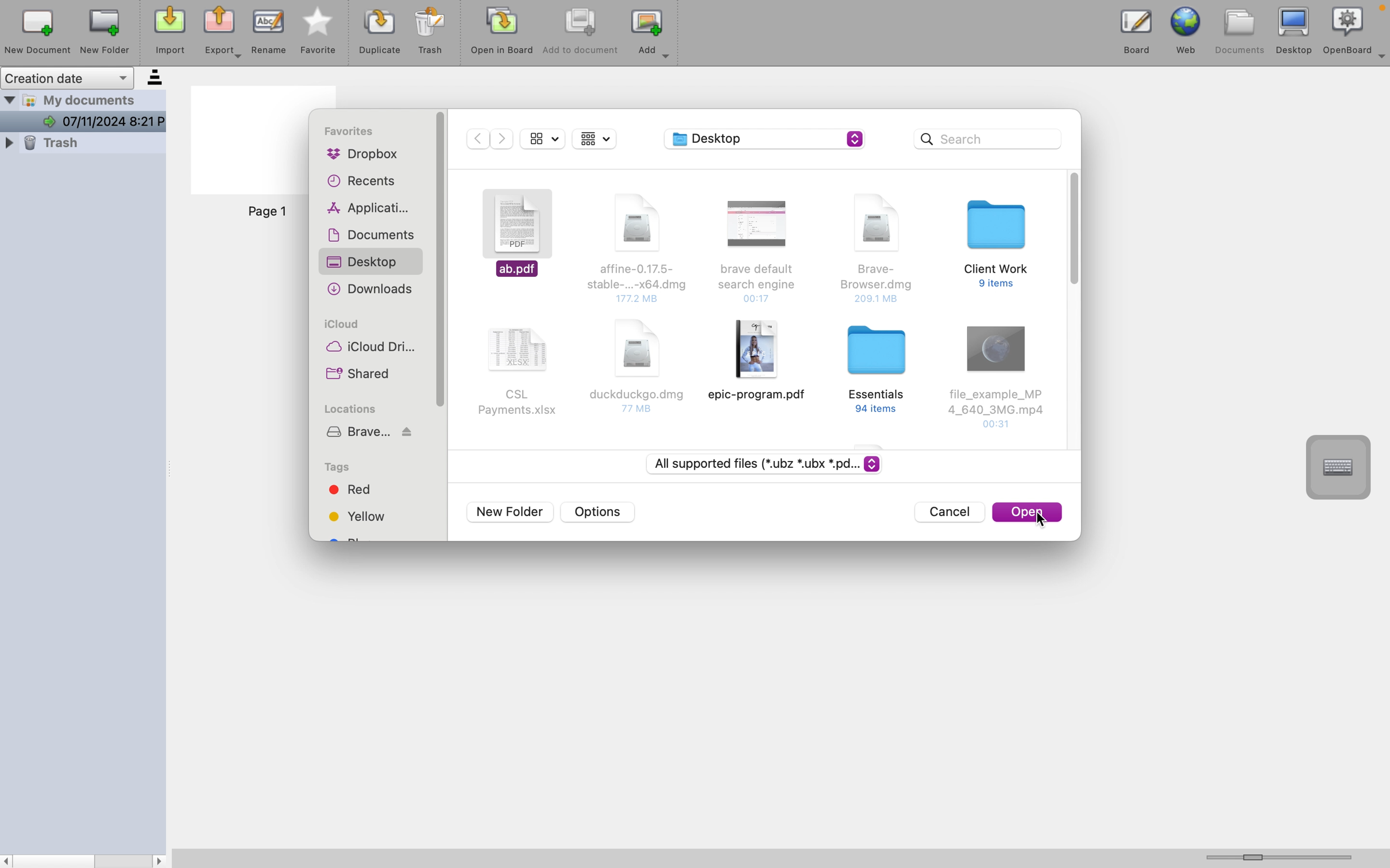 The height and width of the screenshot is (868, 1390). Describe the element at coordinates (754, 247) in the screenshot. I see `document` at that location.